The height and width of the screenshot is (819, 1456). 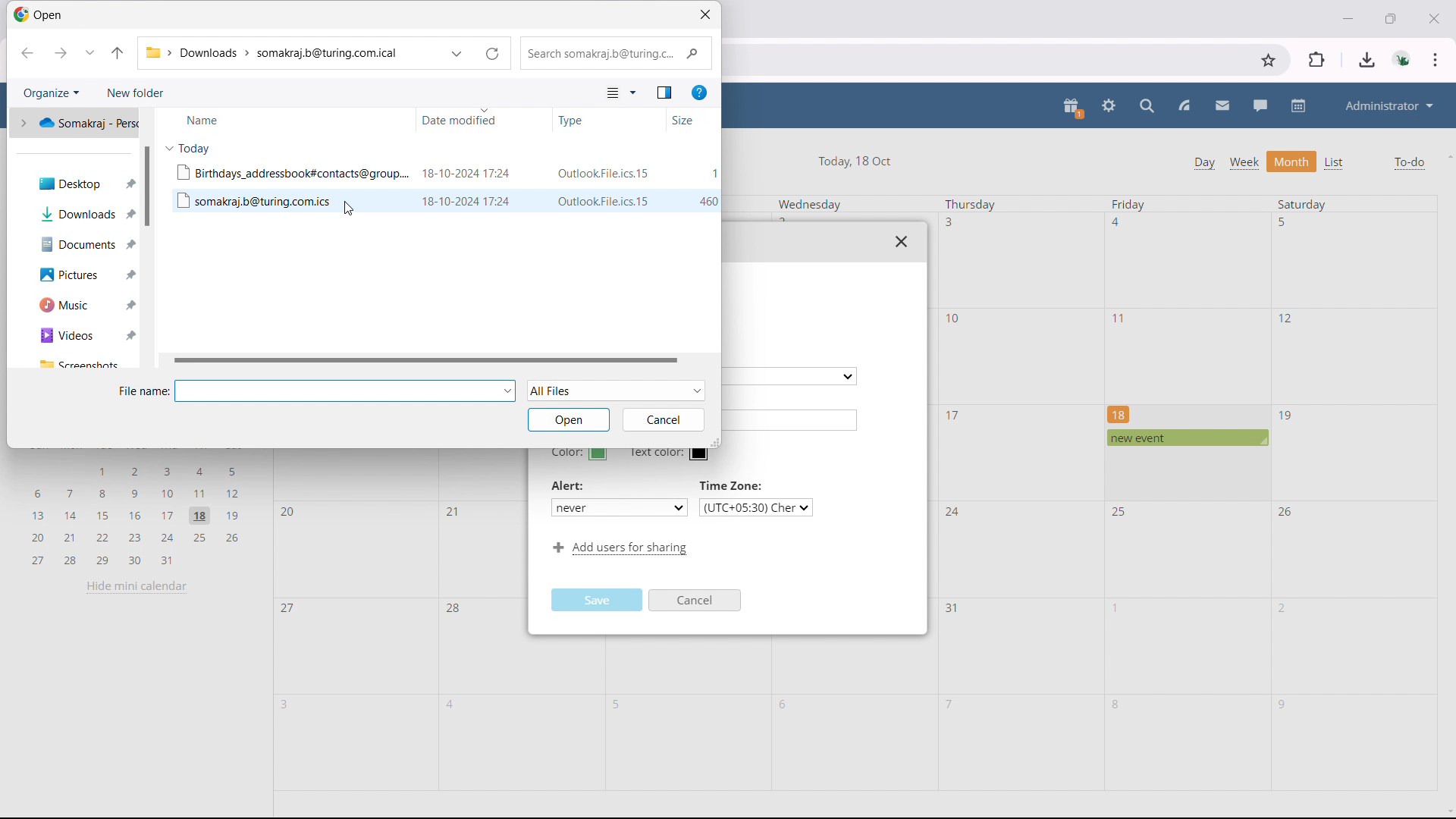 What do you see at coordinates (698, 93) in the screenshot?
I see `get help` at bounding box center [698, 93].